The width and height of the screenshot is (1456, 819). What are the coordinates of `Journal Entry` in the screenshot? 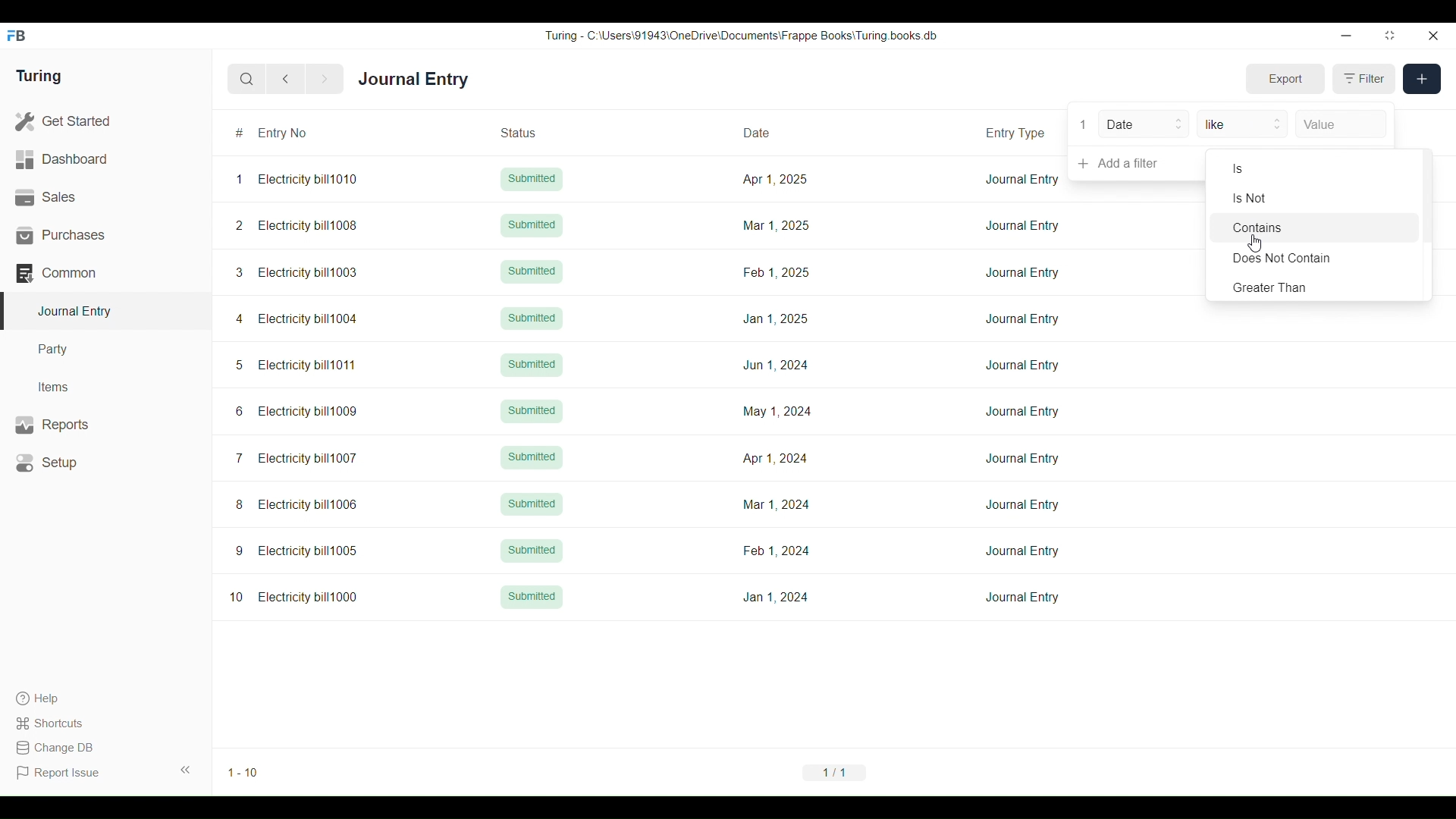 It's located at (1023, 412).